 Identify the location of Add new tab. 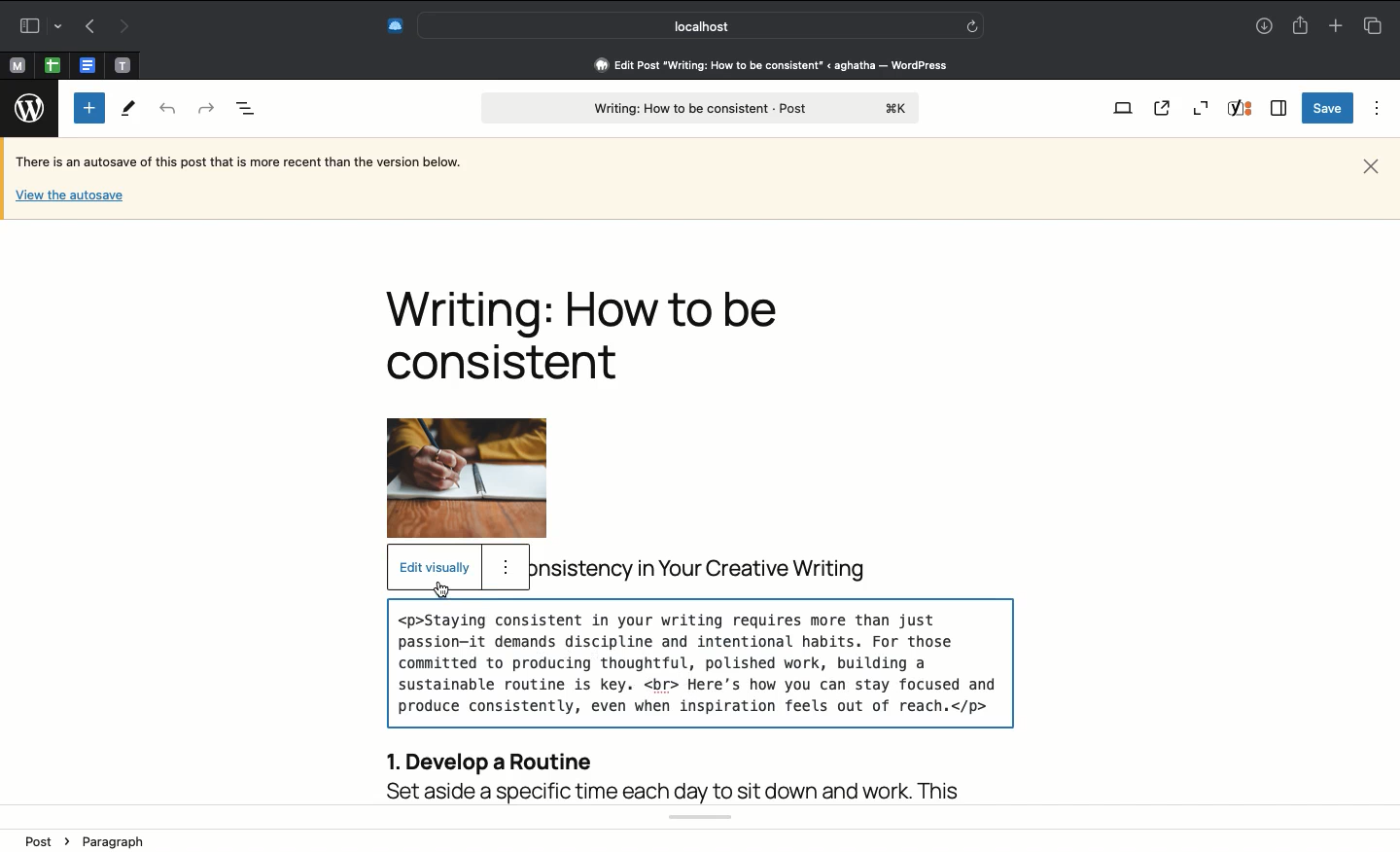
(1334, 25).